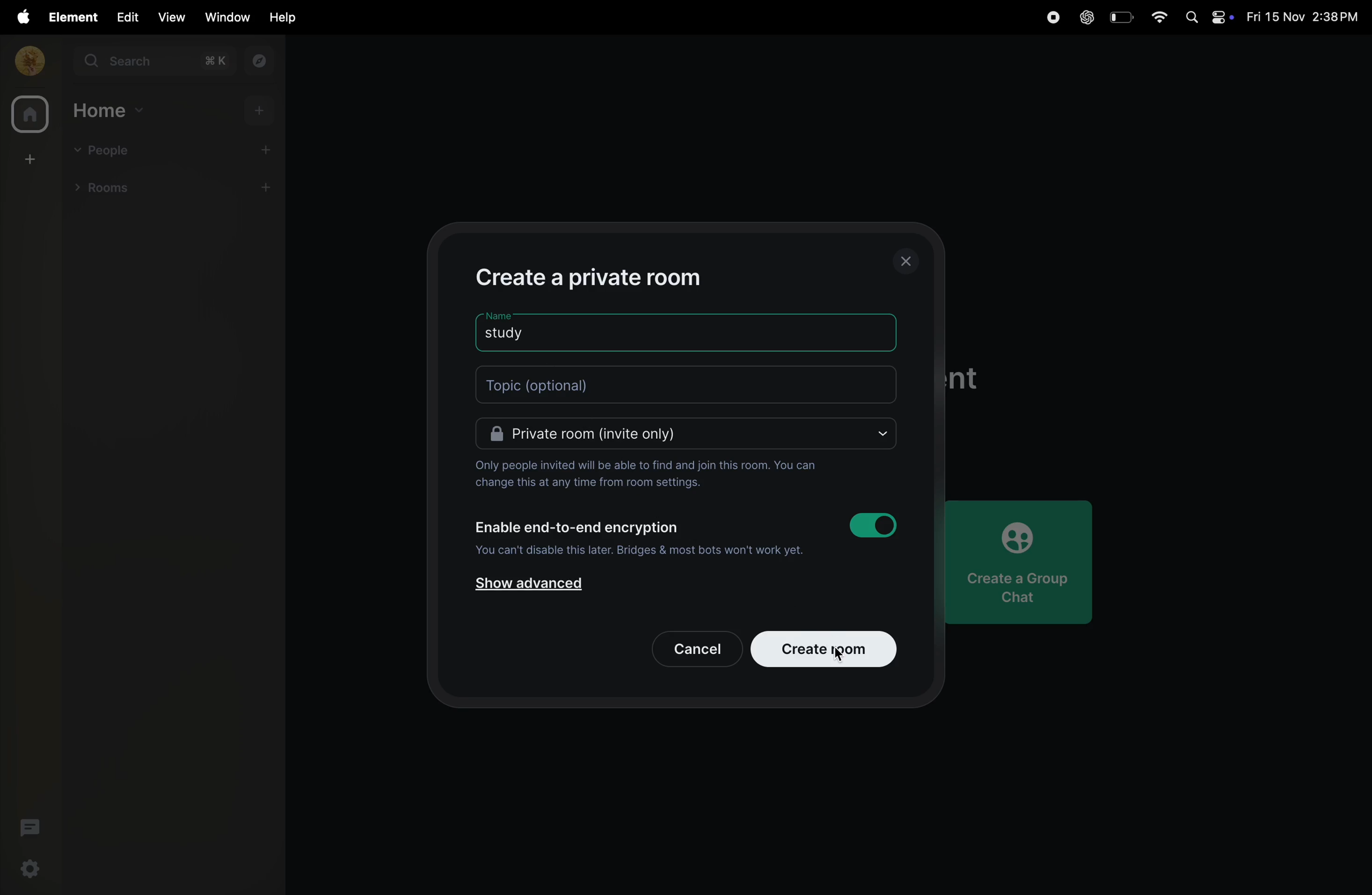  Describe the element at coordinates (107, 186) in the screenshot. I see `rooms` at that location.